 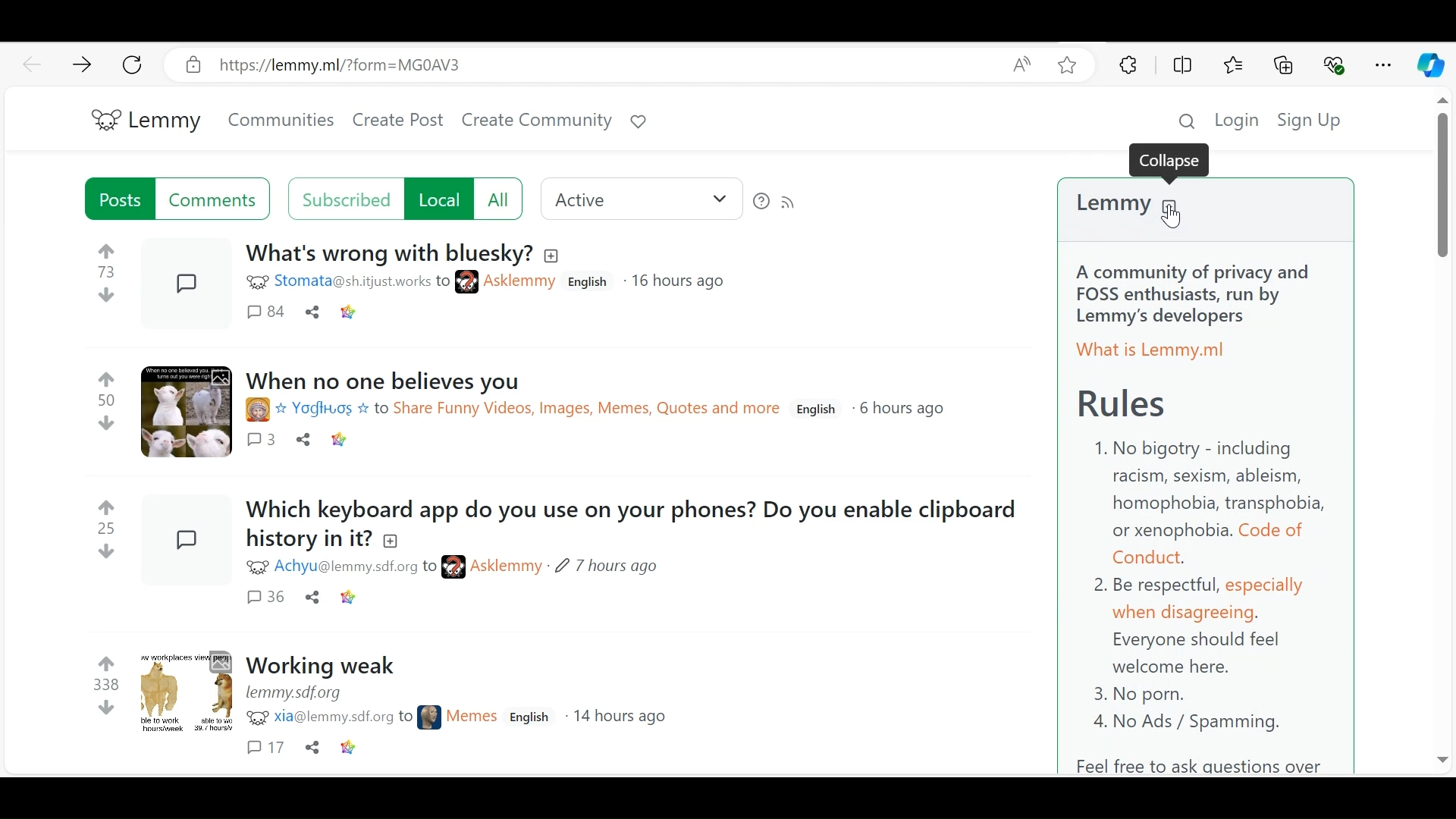 I want to click on , so click(x=692, y=1489).